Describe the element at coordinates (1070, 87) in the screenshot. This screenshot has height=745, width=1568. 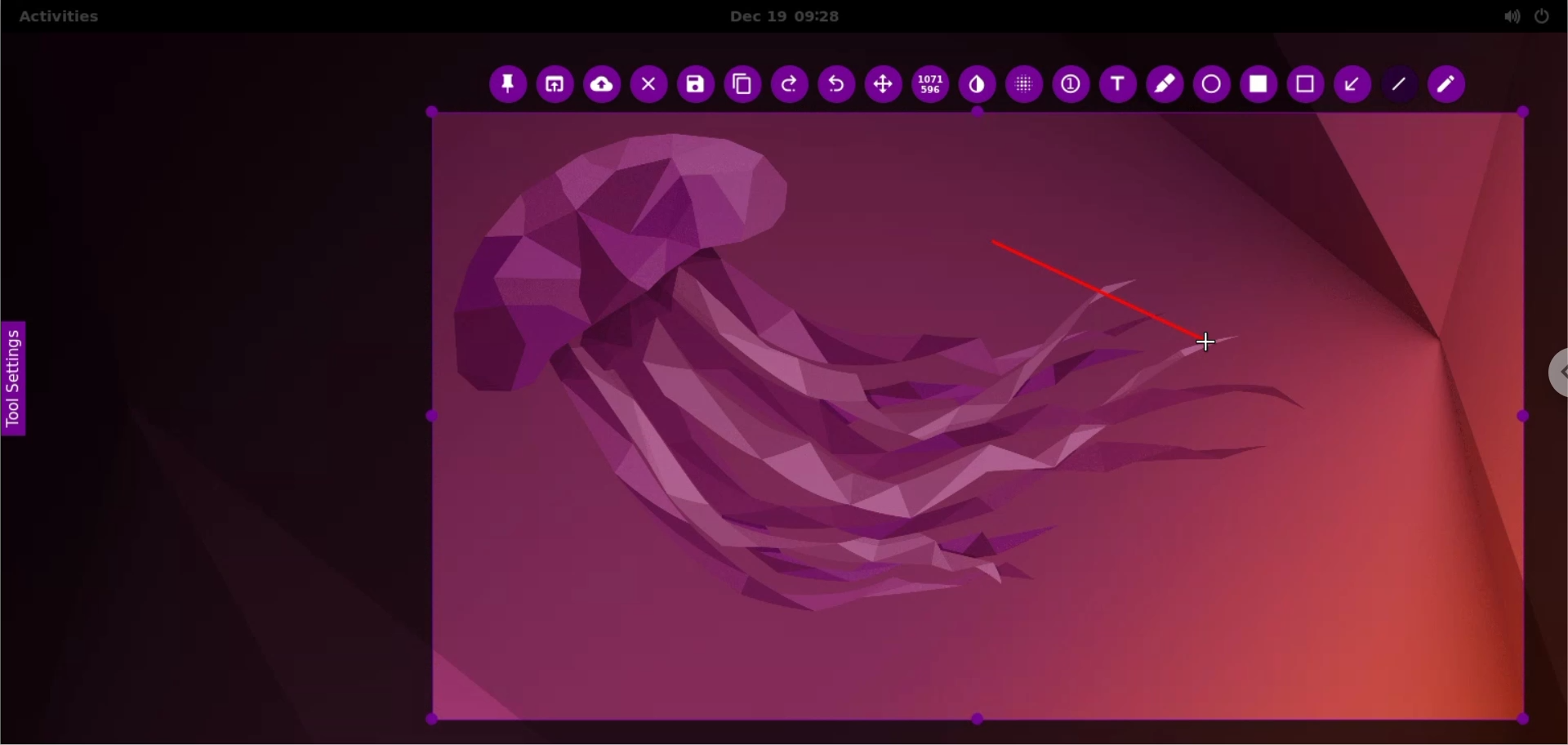
I see `auto increment` at that location.